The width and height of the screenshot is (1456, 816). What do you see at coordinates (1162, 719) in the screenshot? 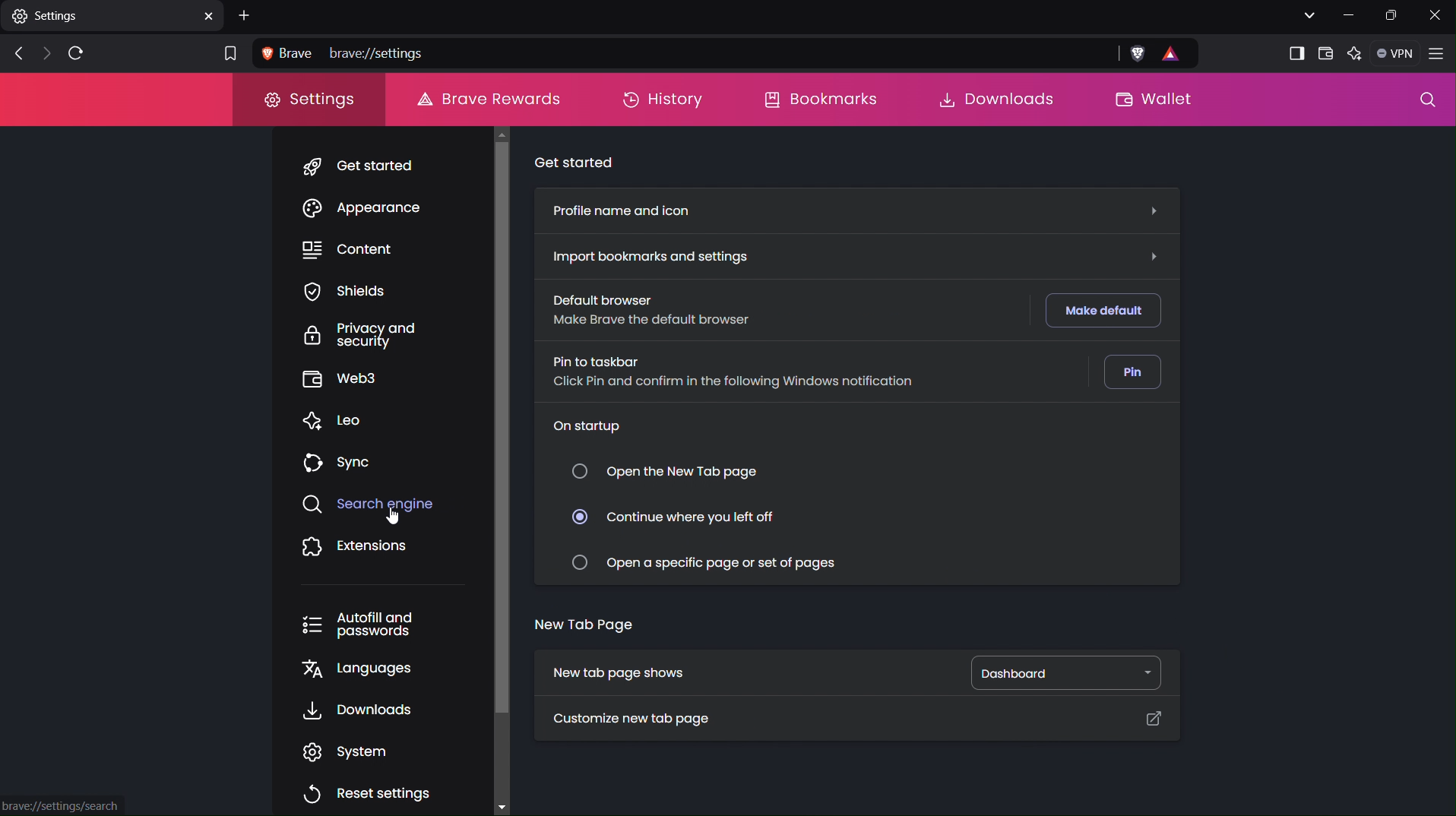
I see `Redirect` at bounding box center [1162, 719].